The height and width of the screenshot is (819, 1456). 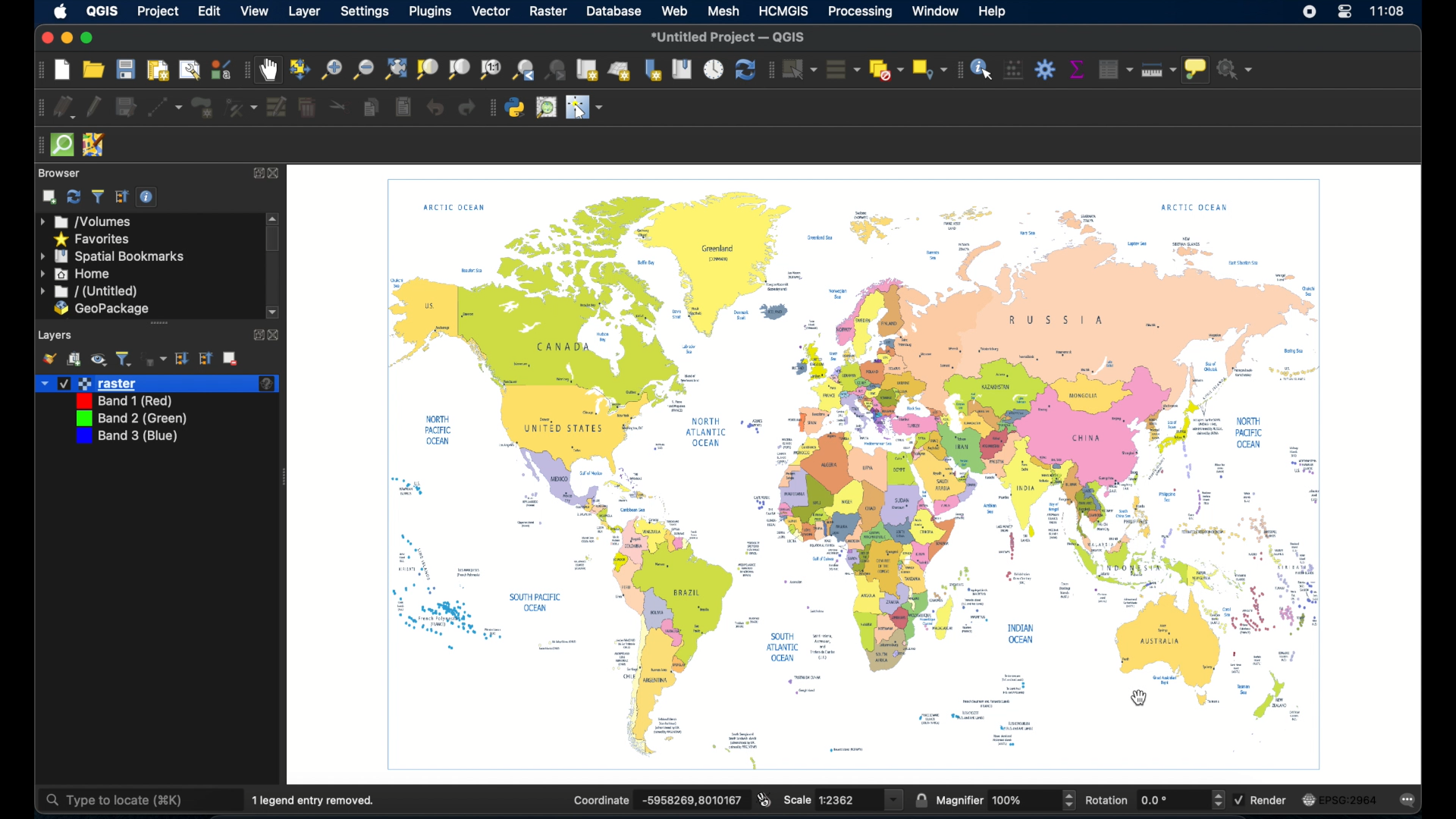 What do you see at coordinates (1345, 15) in the screenshot?
I see `control center` at bounding box center [1345, 15].